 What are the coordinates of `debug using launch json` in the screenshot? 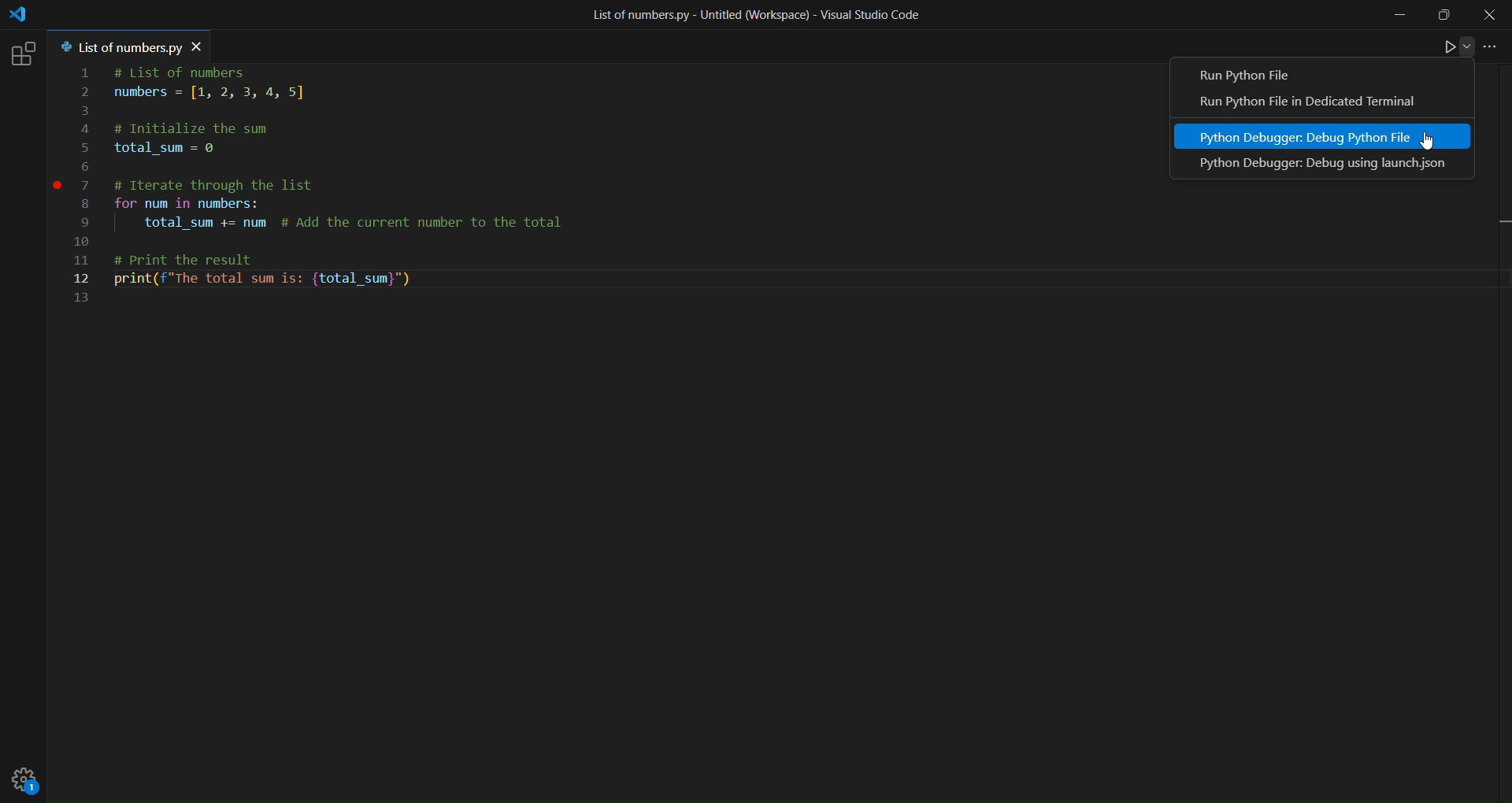 It's located at (1333, 165).